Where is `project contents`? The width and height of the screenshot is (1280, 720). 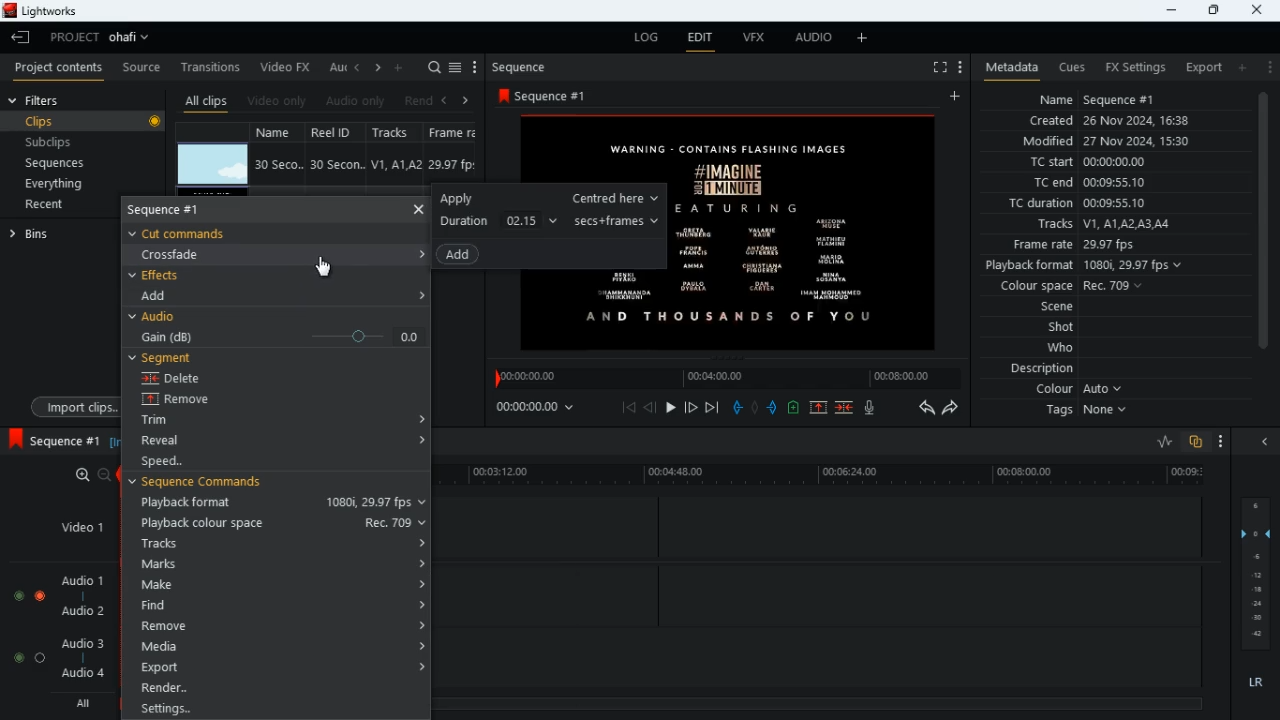 project contents is located at coordinates (59, 67).